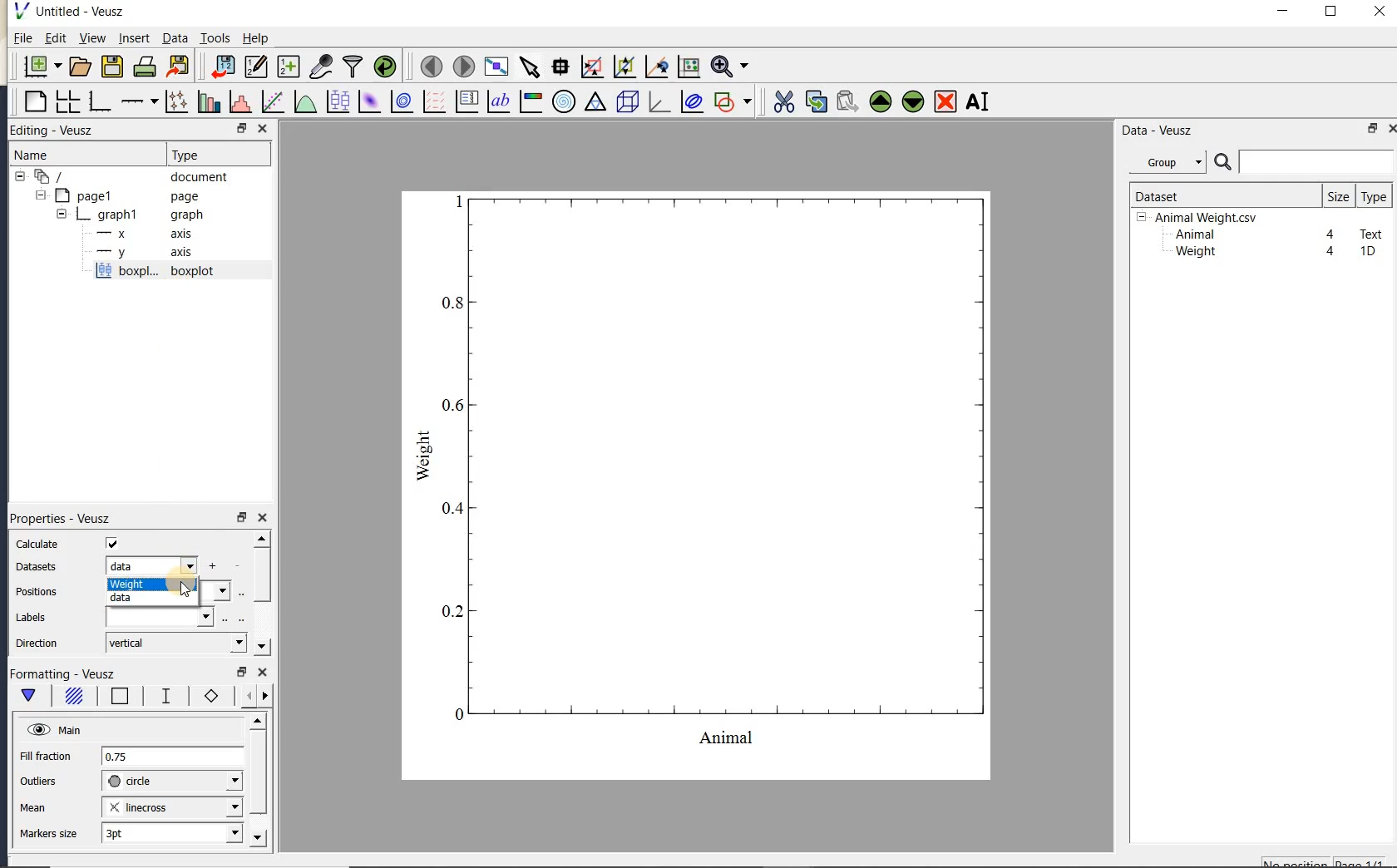  Describe the element at coordinates (321, 66) in the screenshot. I see `capture remote data` at that location.